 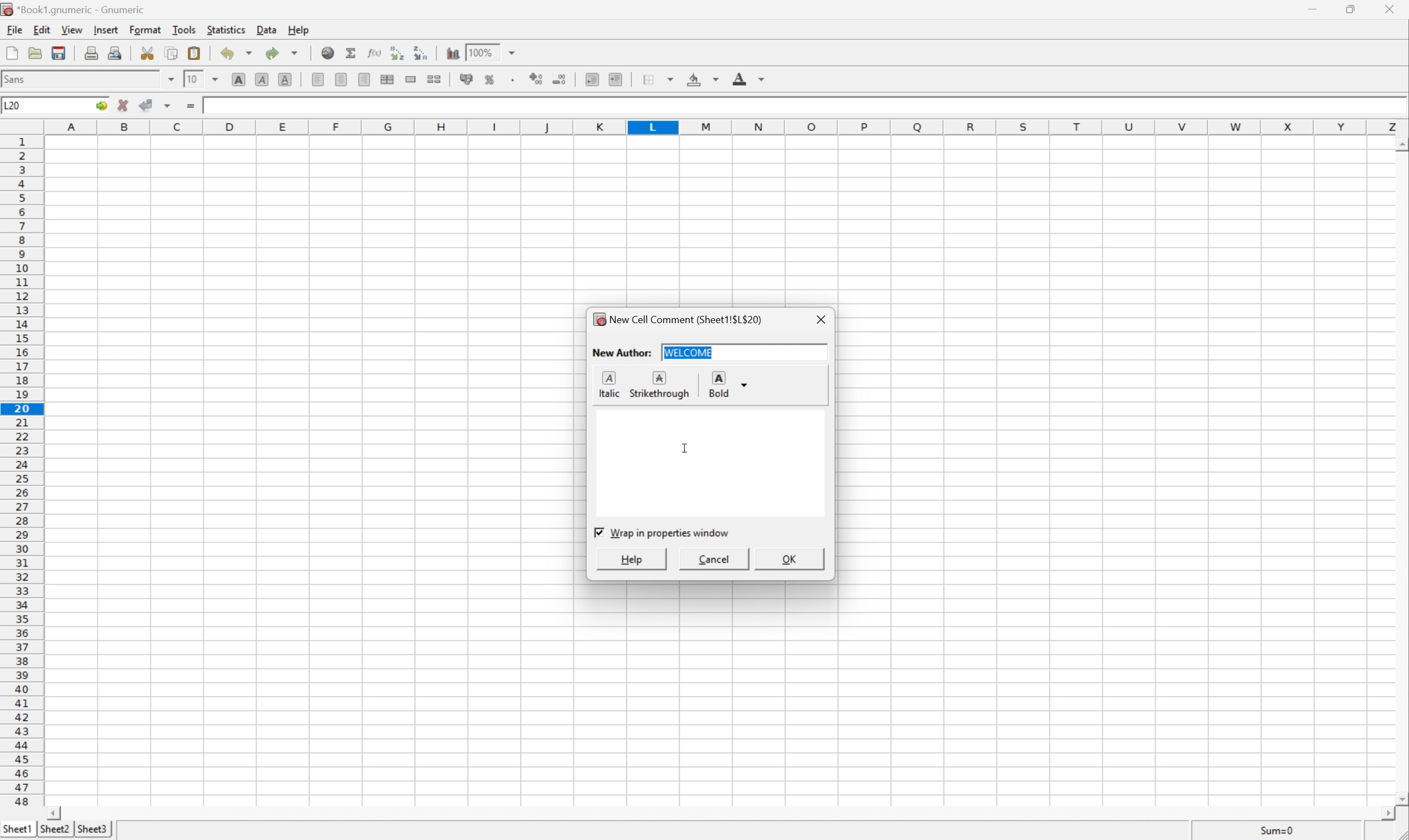 I want to click on Increase indent, and align the contents to the left, so click(x=616, y=79).